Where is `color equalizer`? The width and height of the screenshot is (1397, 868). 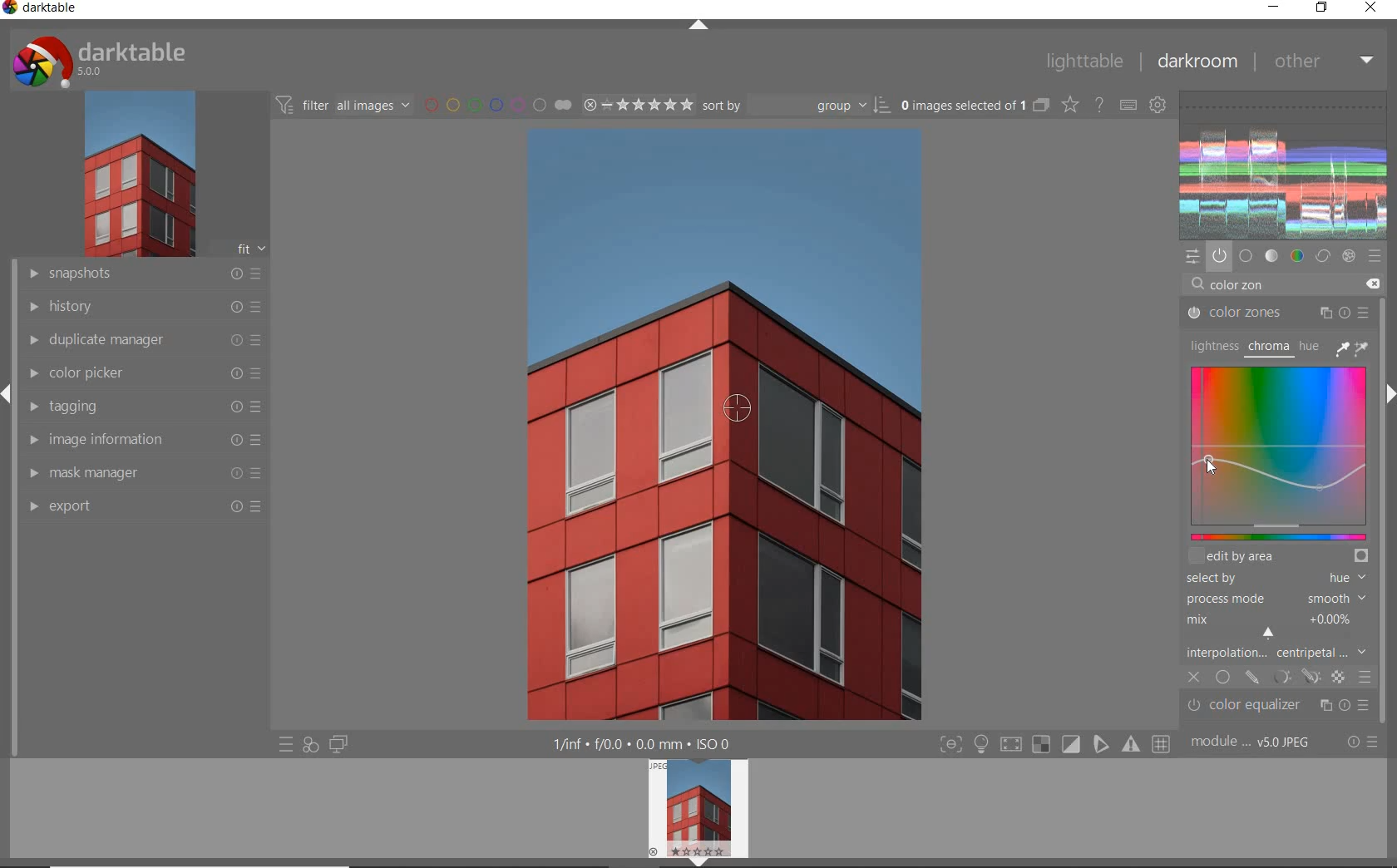
color equalizer is located at coordinates (1280, 708).